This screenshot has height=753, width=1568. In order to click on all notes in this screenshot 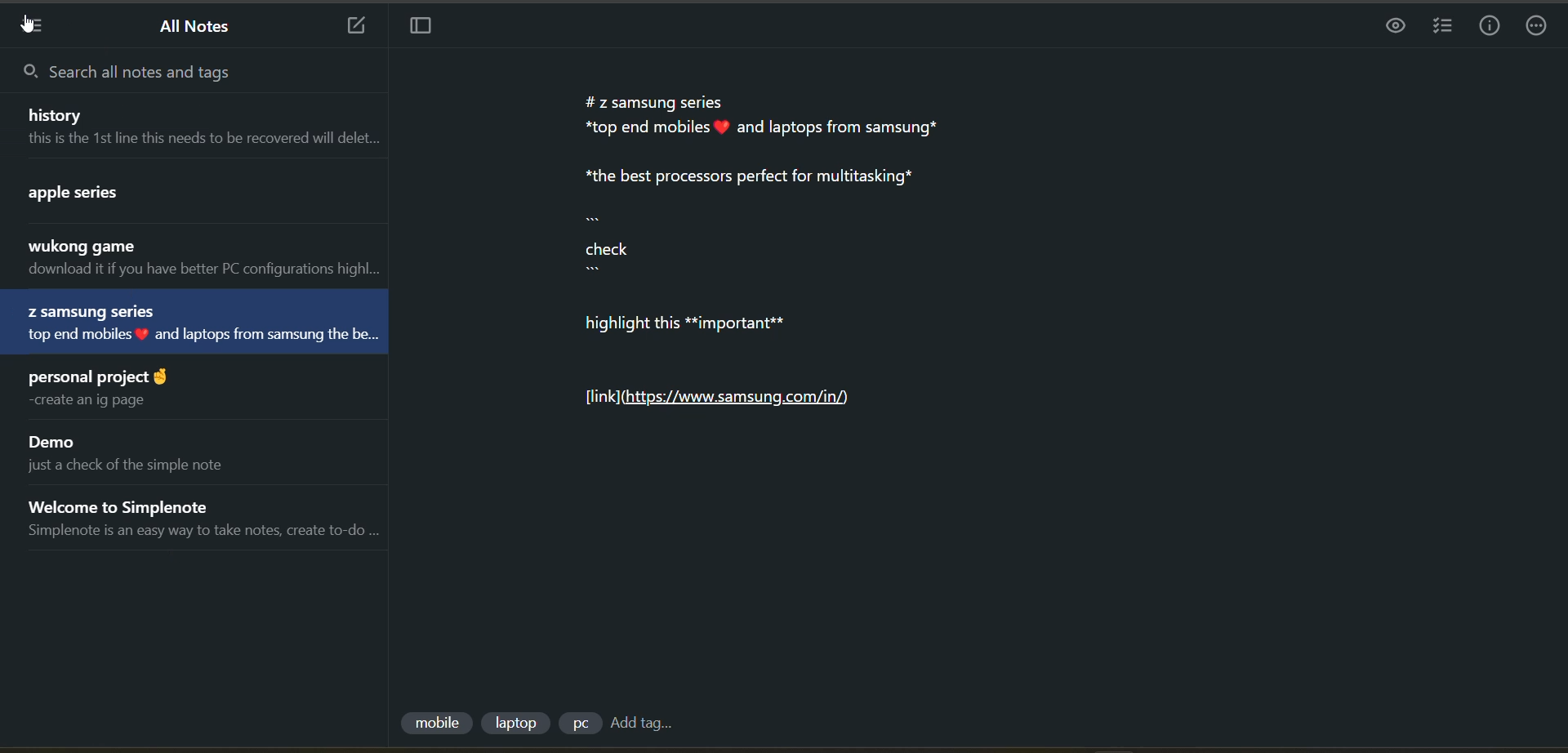, I will do `click(203, 27)`.